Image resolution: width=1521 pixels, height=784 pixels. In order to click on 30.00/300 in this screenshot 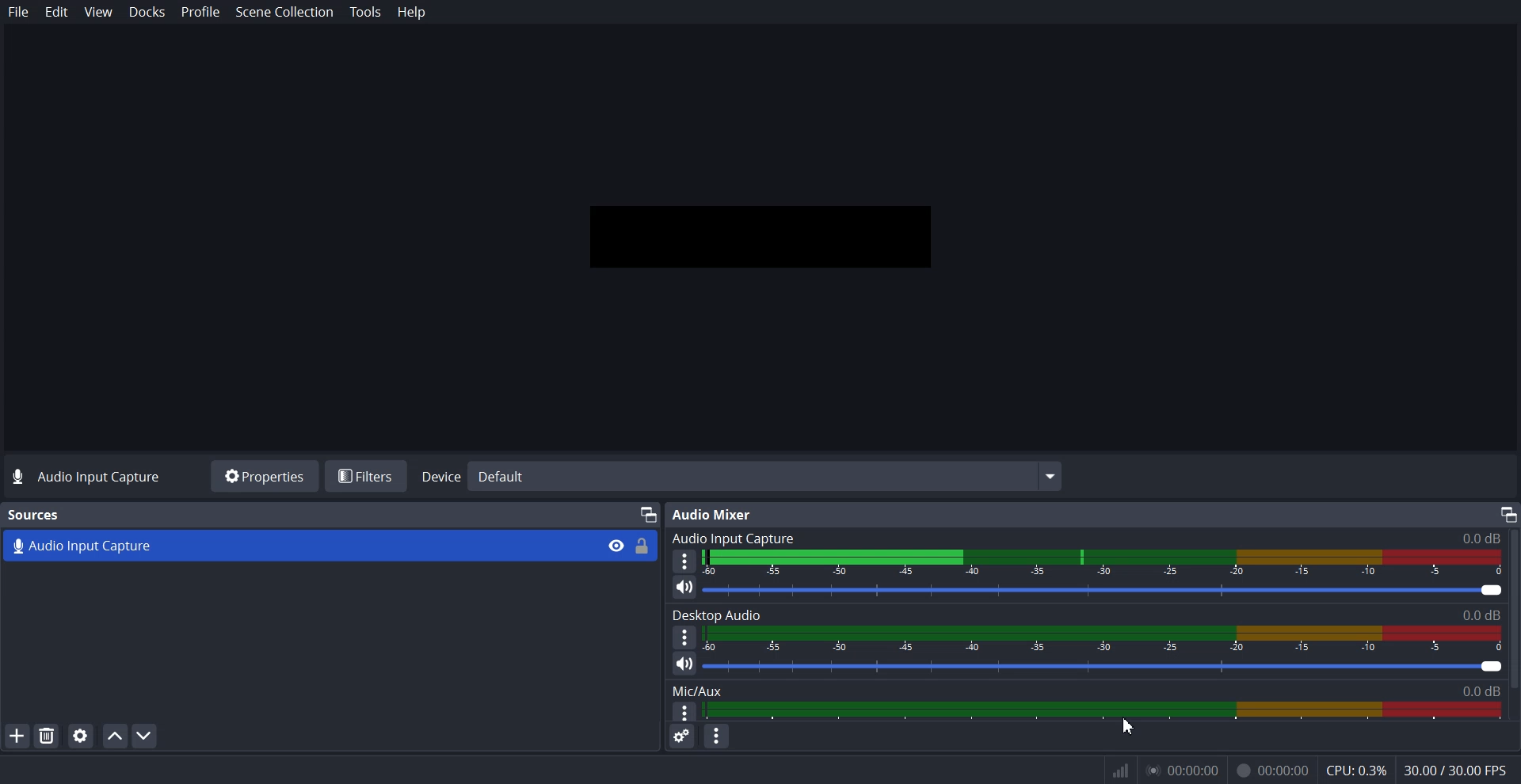, I will do `click(1461, 771)`.